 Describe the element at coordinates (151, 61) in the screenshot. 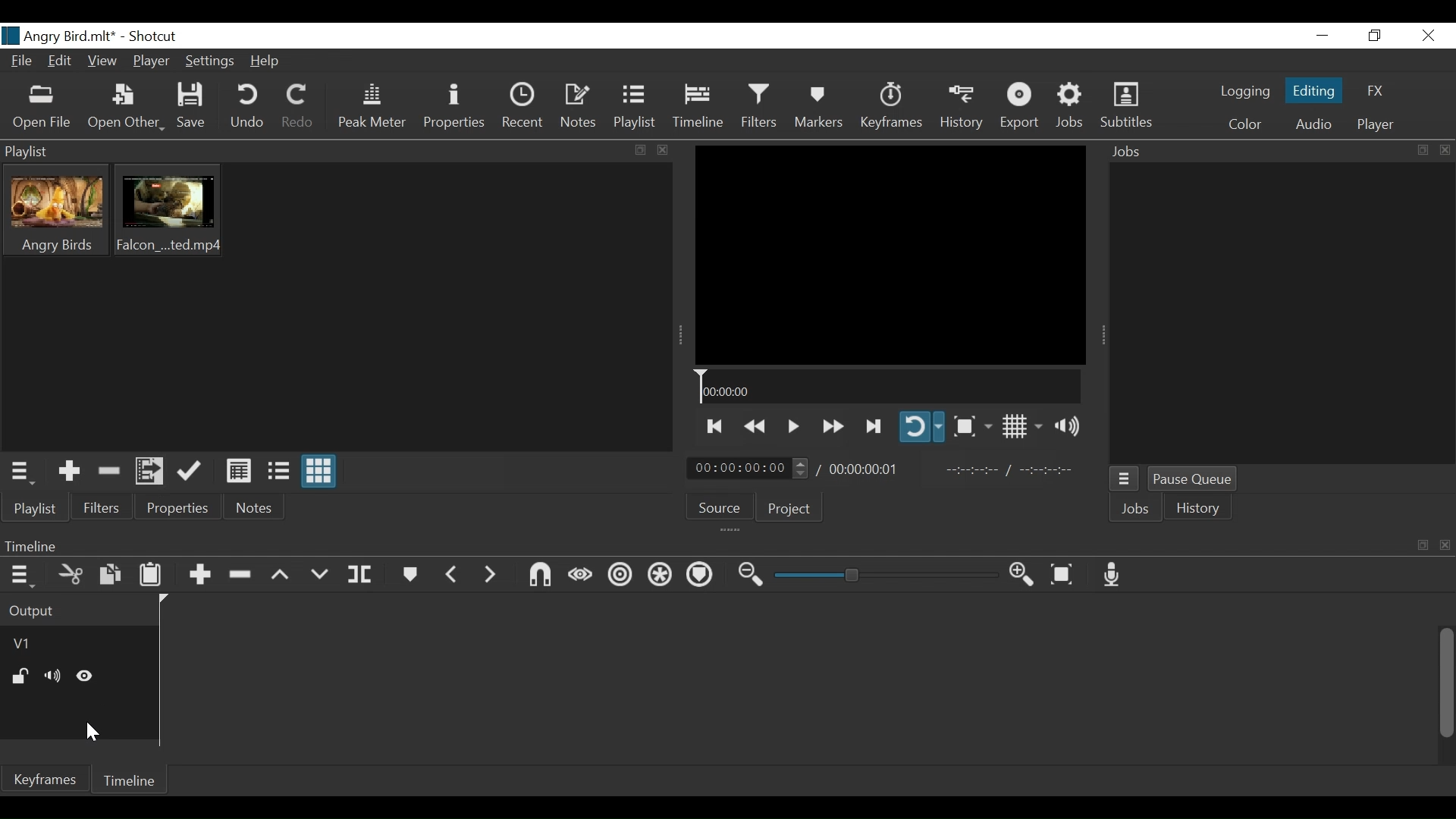

I see `Player` at that location.